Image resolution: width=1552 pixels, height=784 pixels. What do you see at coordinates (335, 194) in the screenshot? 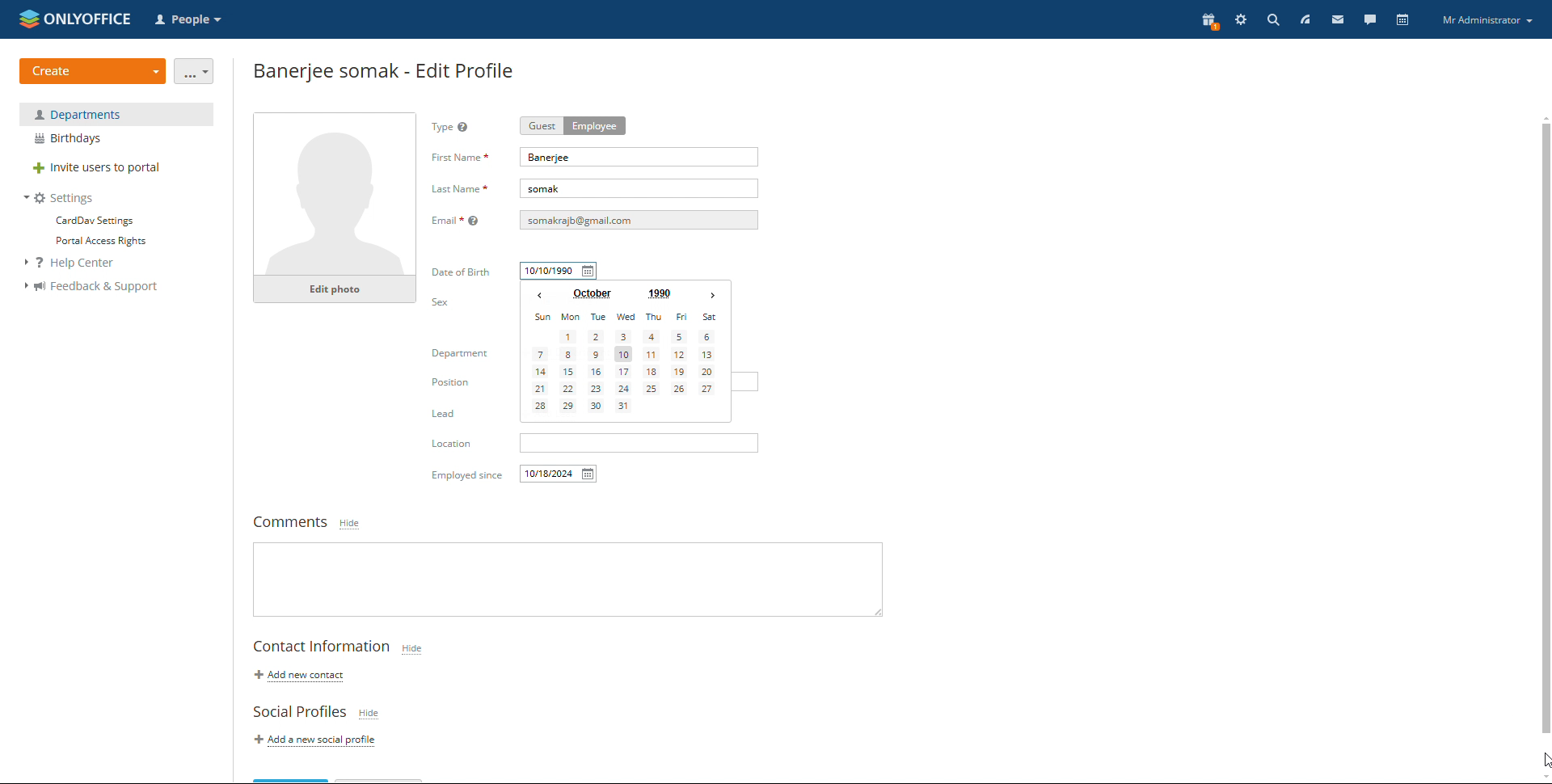
I see `profile photo` at bounding box center [335, 194].